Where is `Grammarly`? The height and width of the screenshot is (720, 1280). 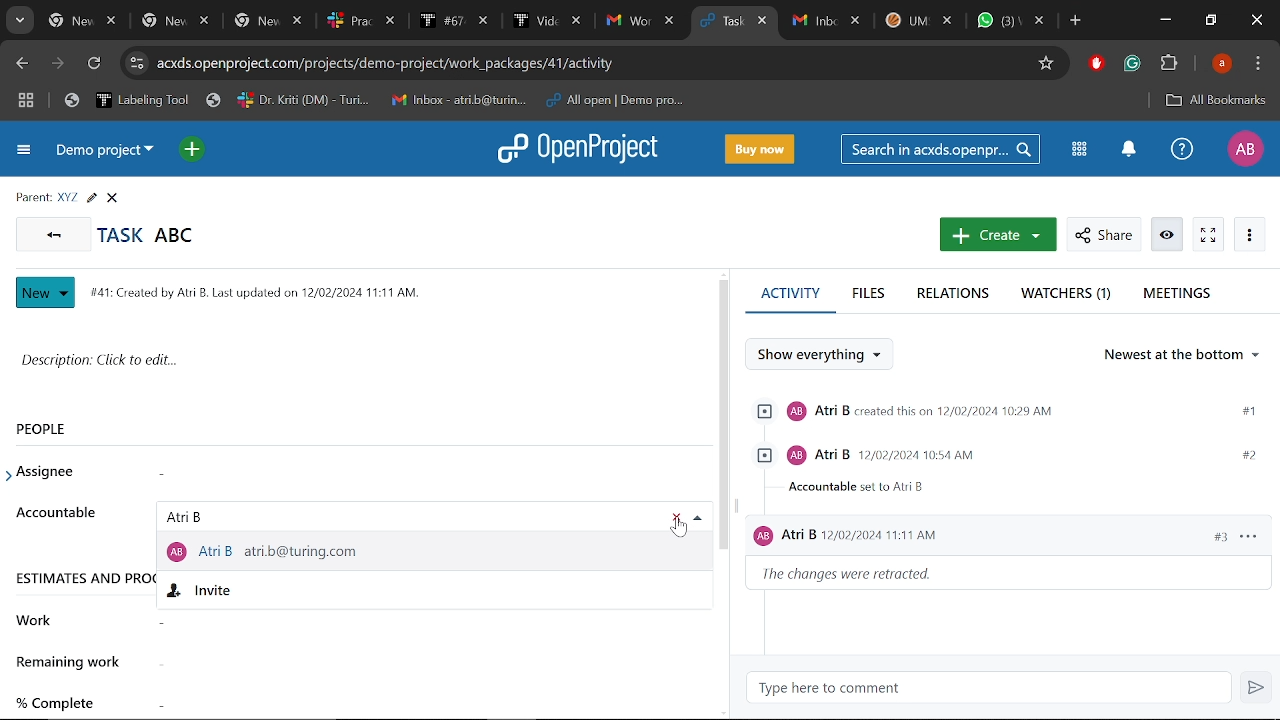
Grammarly is located at coordinates (1132, 65).